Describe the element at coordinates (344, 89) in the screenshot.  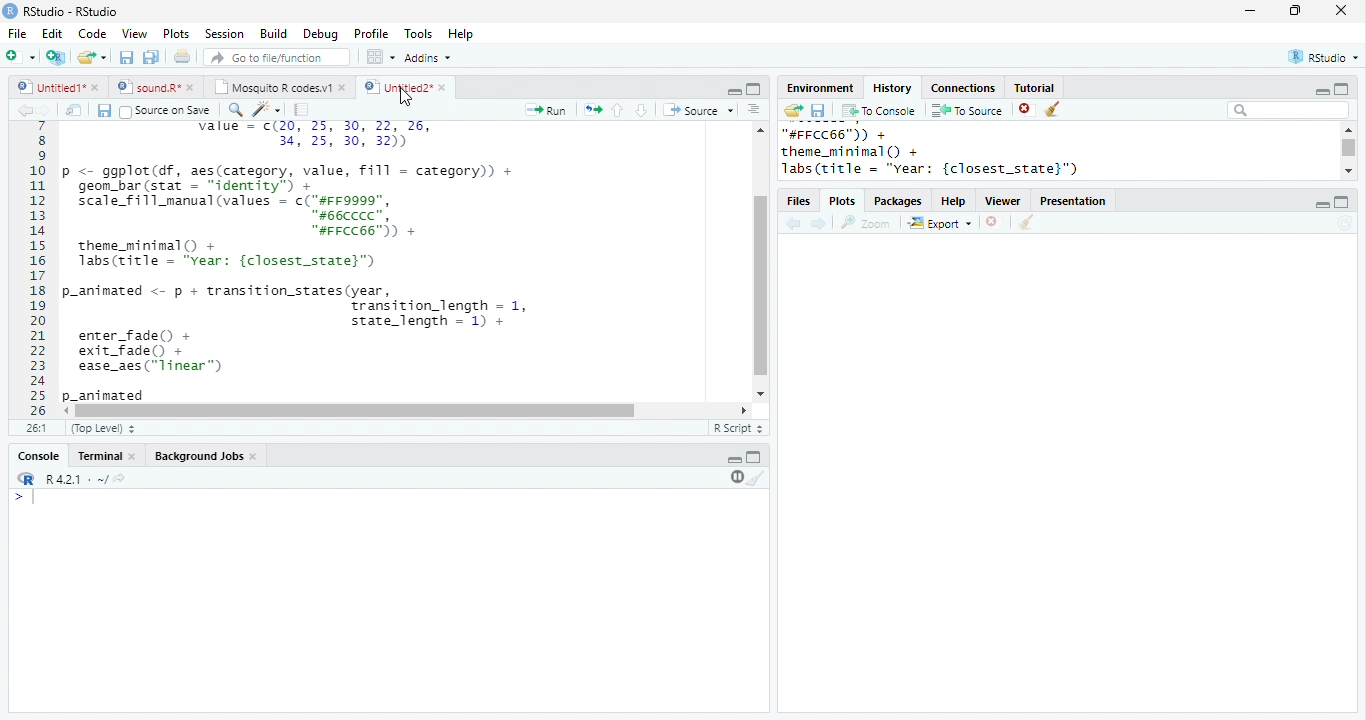
I see `close` at that location.